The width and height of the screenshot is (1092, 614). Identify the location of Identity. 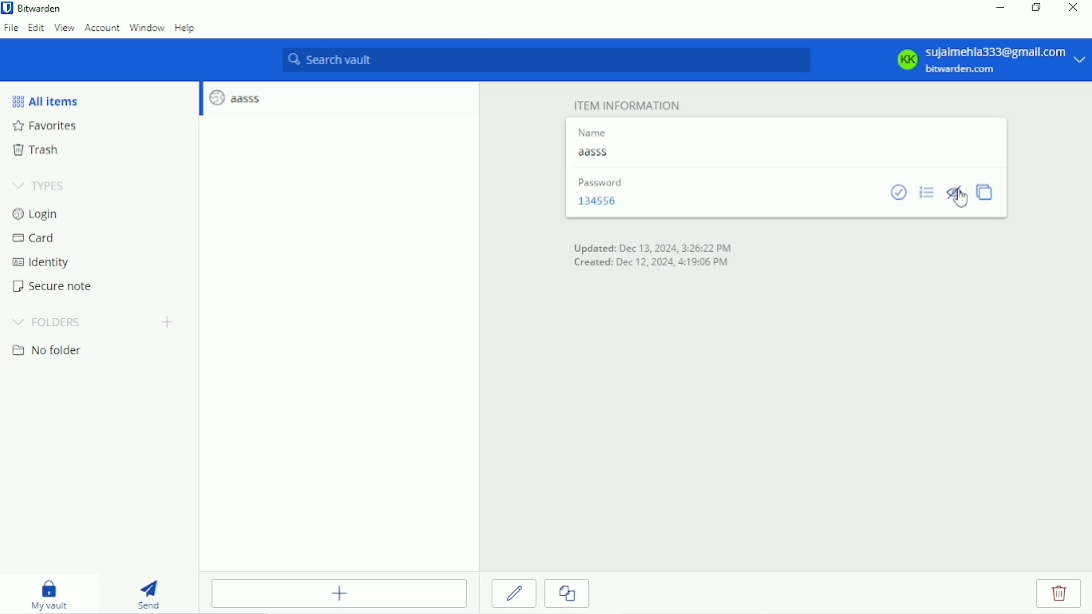
(44, 264).